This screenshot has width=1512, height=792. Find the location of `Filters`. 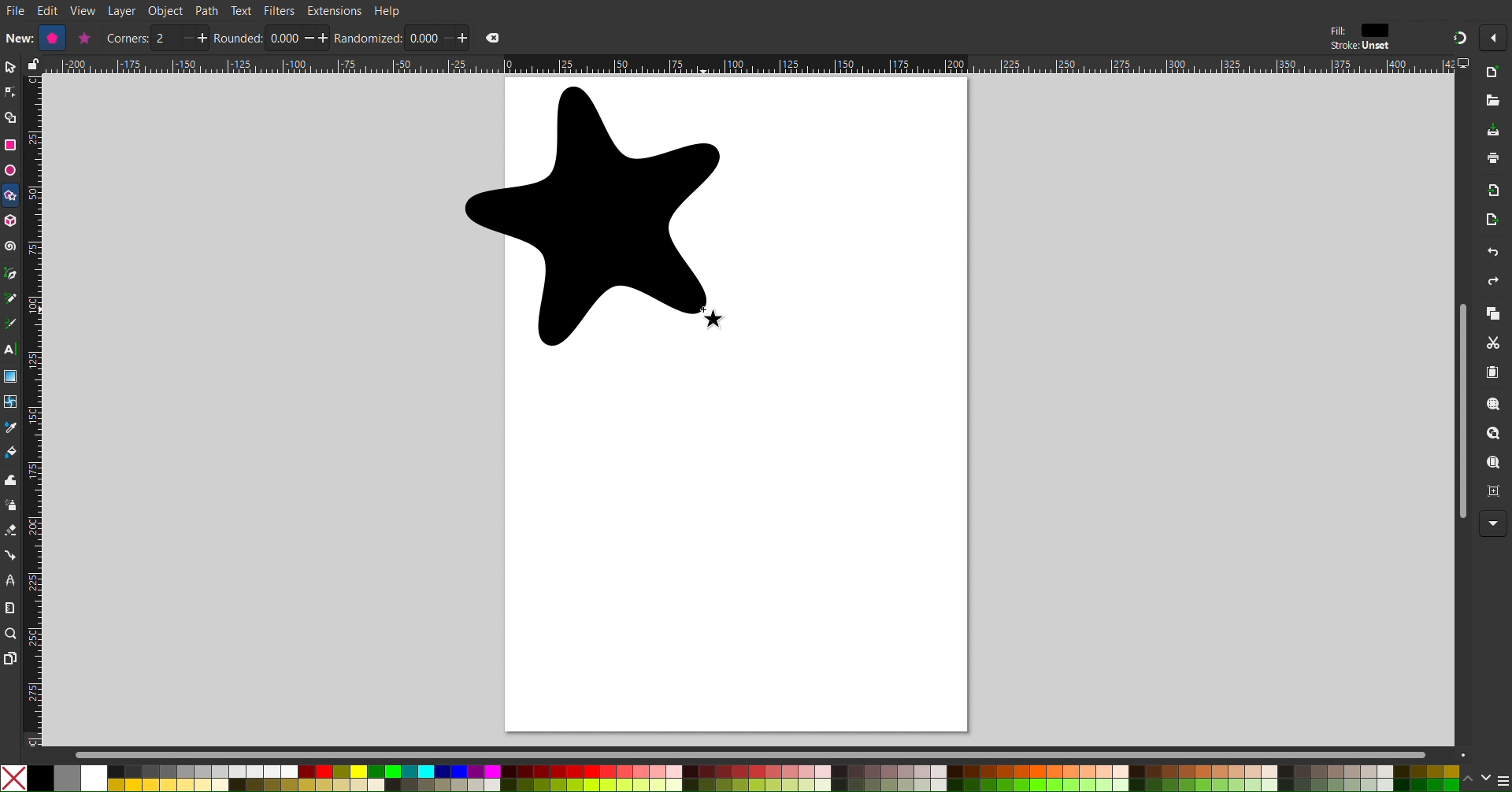

Filters is located at coordinates (280, 10).